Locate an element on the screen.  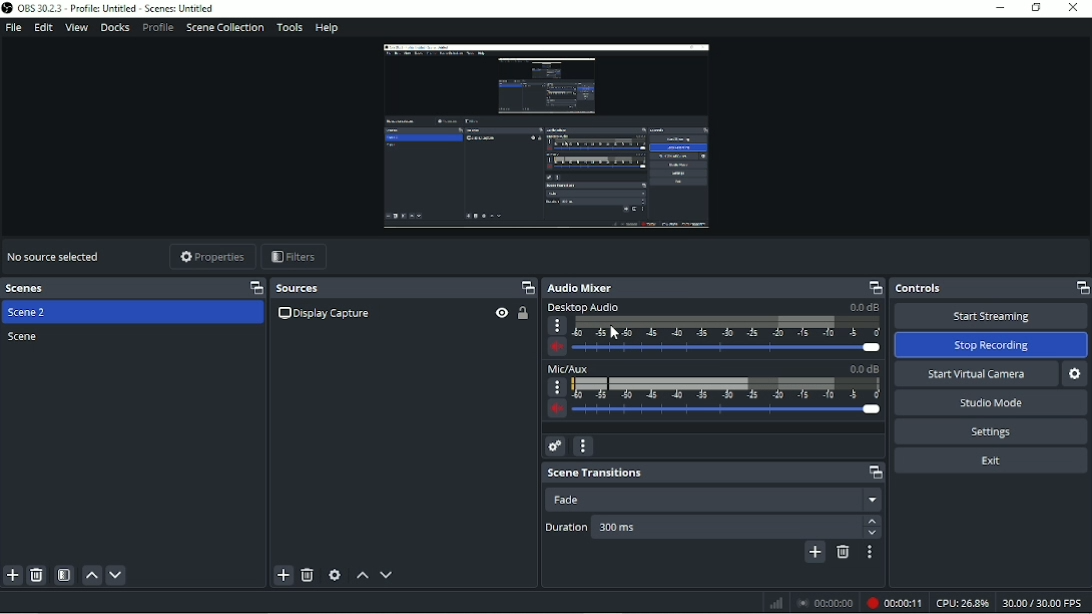
Minimize is located at coordinates (999, 8).